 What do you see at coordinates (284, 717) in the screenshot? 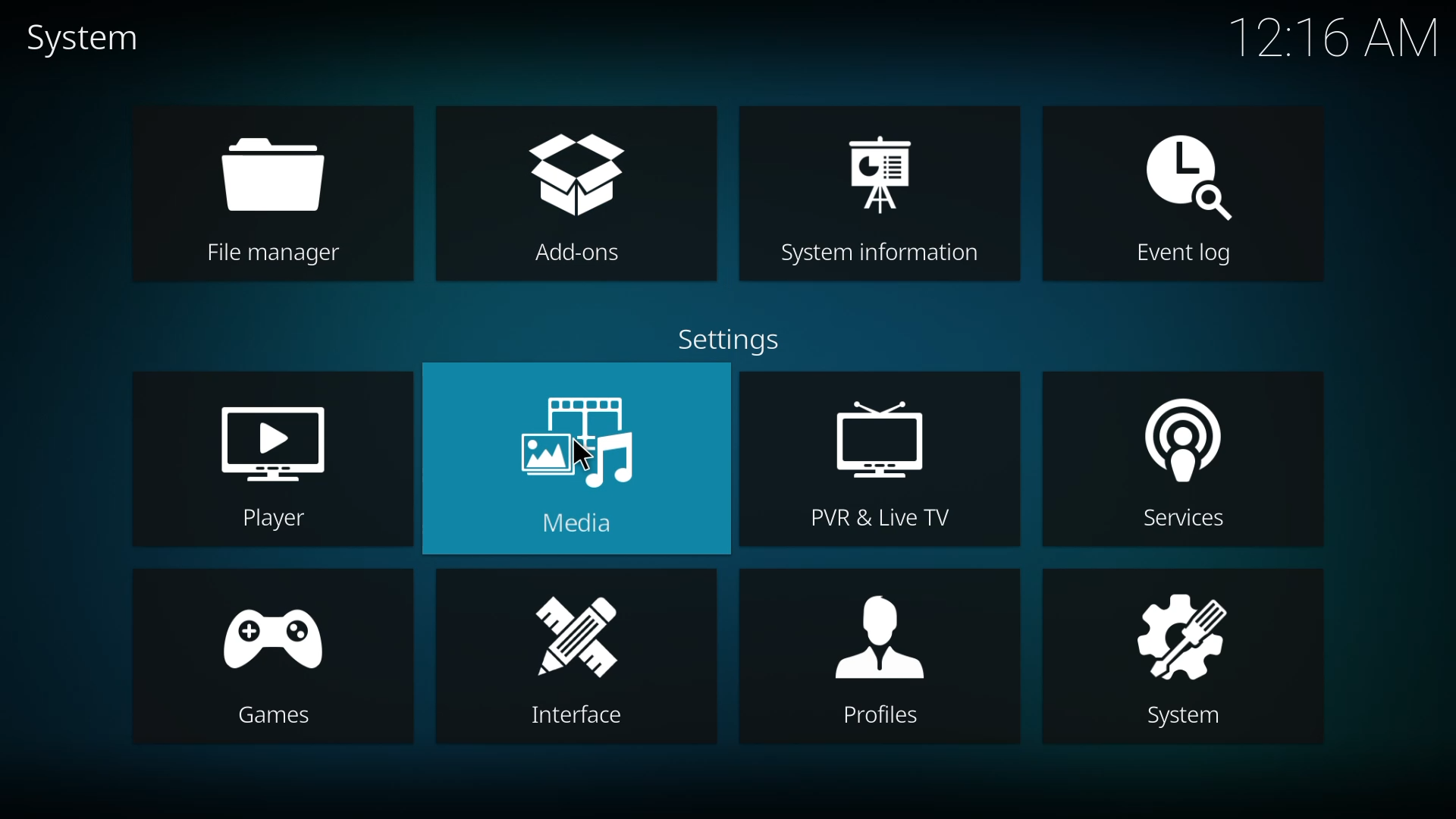
I see `Games` at bounding box center [284, 717].